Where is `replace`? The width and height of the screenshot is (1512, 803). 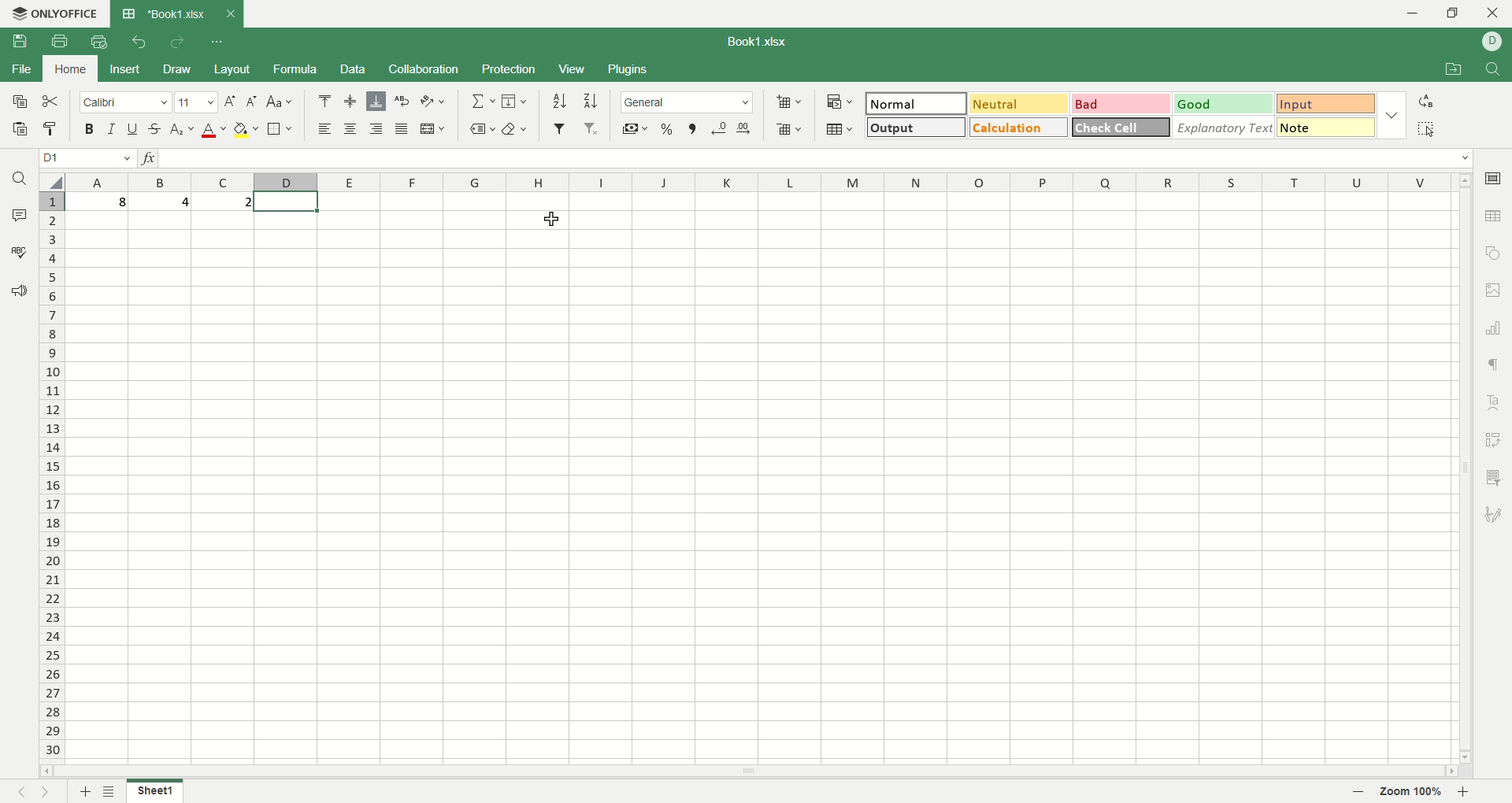
replace is located at coordinates (1429, 104).